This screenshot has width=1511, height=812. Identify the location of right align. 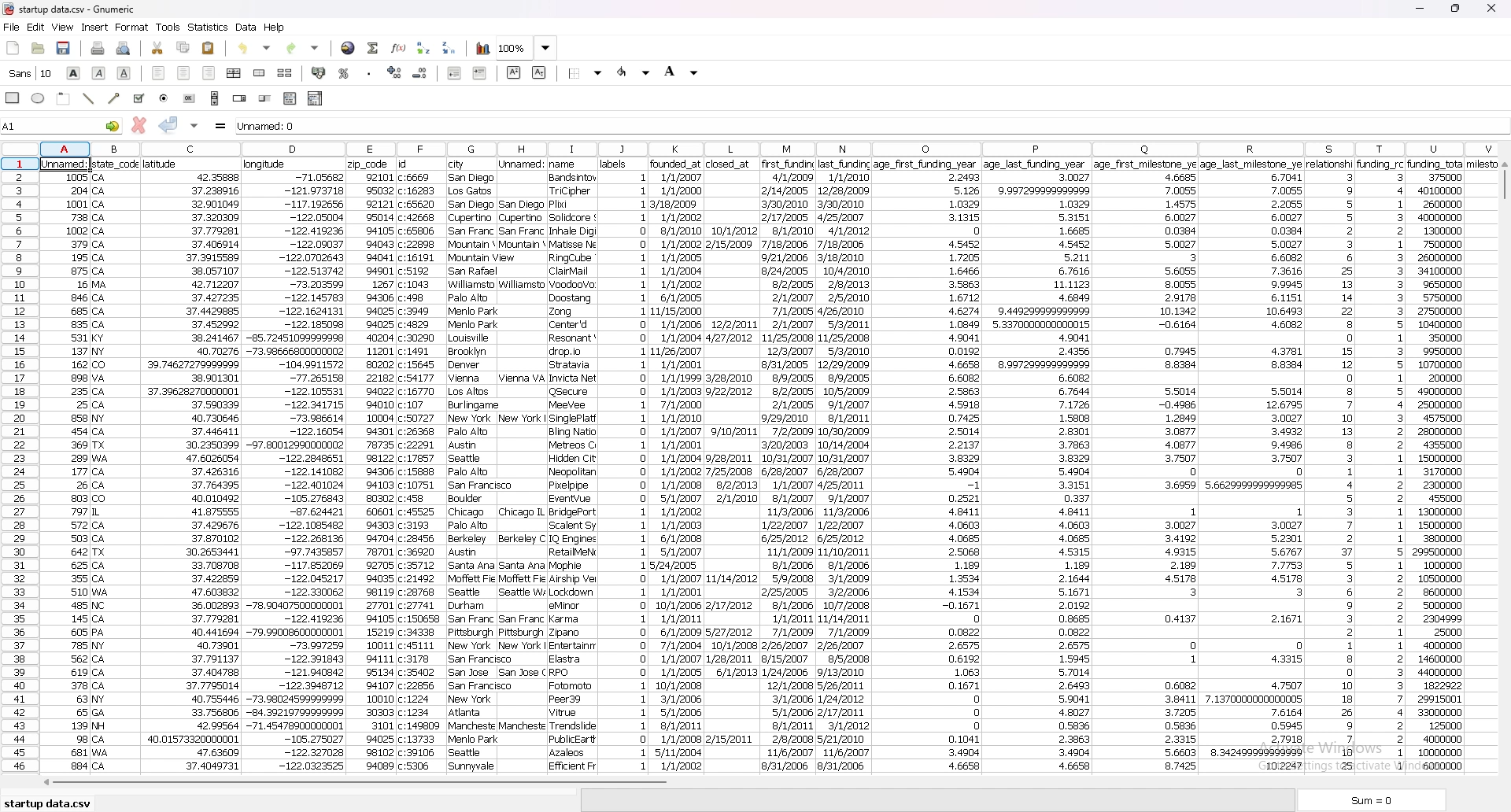
(209, 72).